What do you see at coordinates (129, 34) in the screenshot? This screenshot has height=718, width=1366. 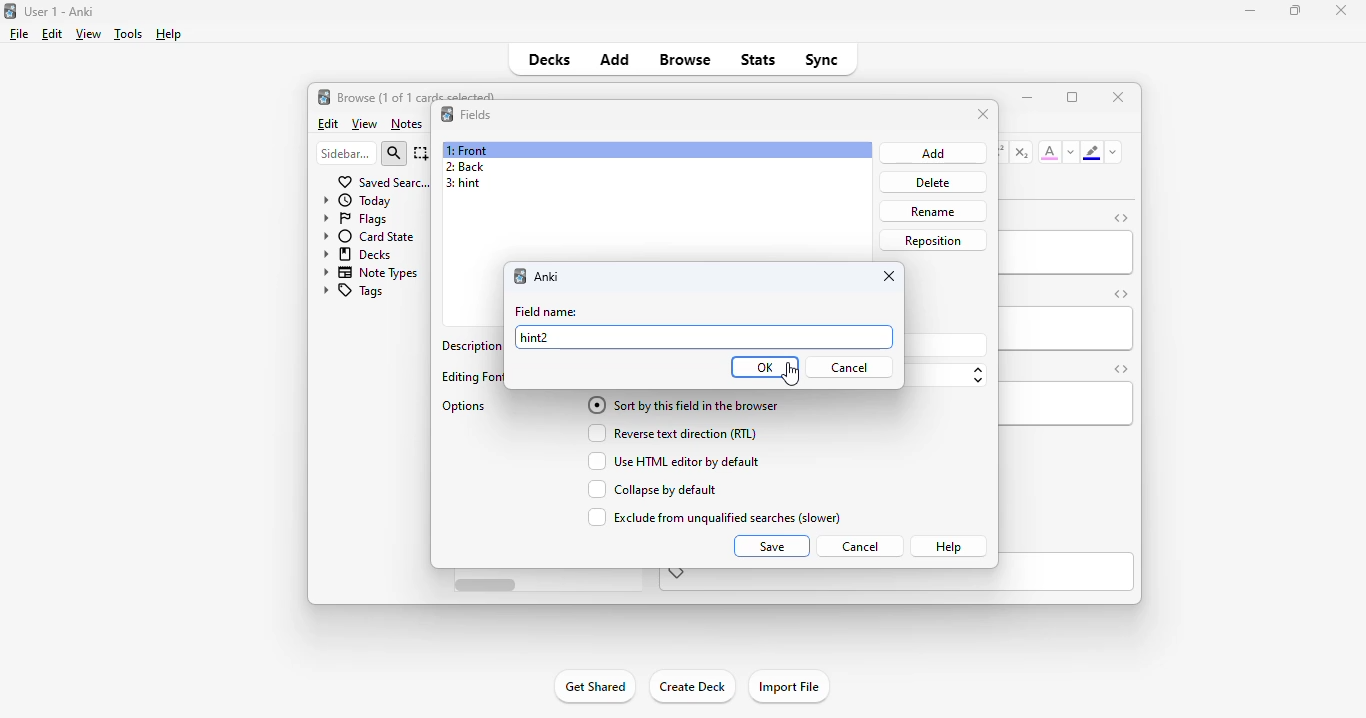 I see `tools` at bounding box center [129, 34].